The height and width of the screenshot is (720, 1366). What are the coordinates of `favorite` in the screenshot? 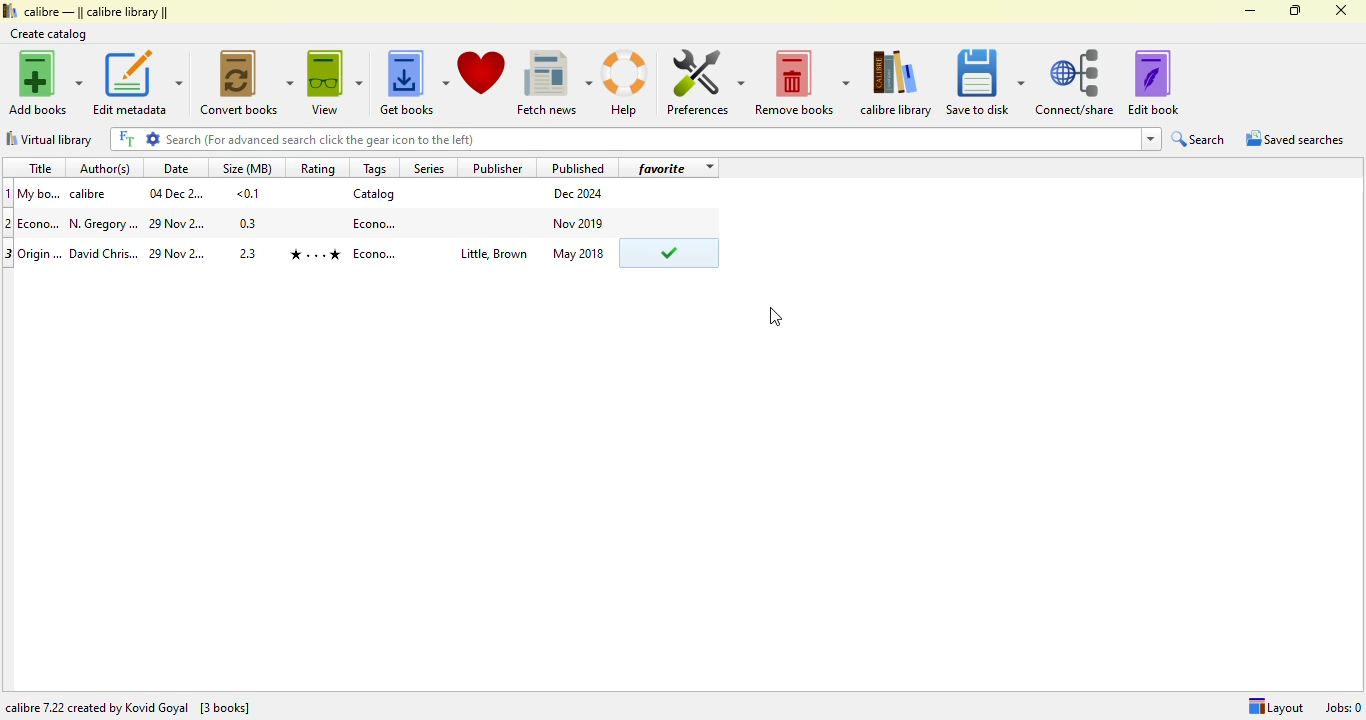 It's located at (662, 168).